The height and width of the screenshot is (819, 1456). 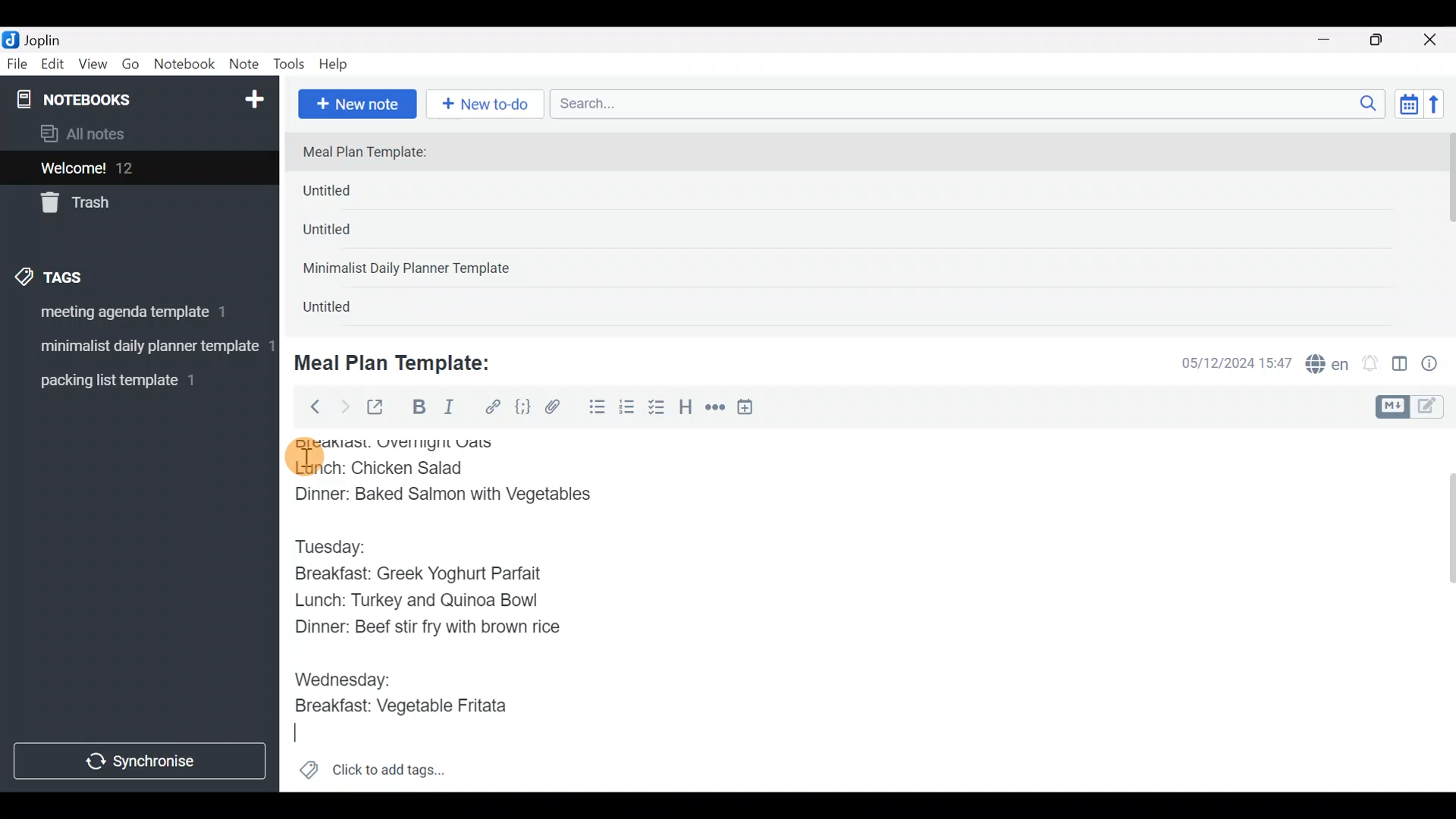 I want to click on Breakfast: Greek Yoghurt Parfait, so click(x=428, y=573).